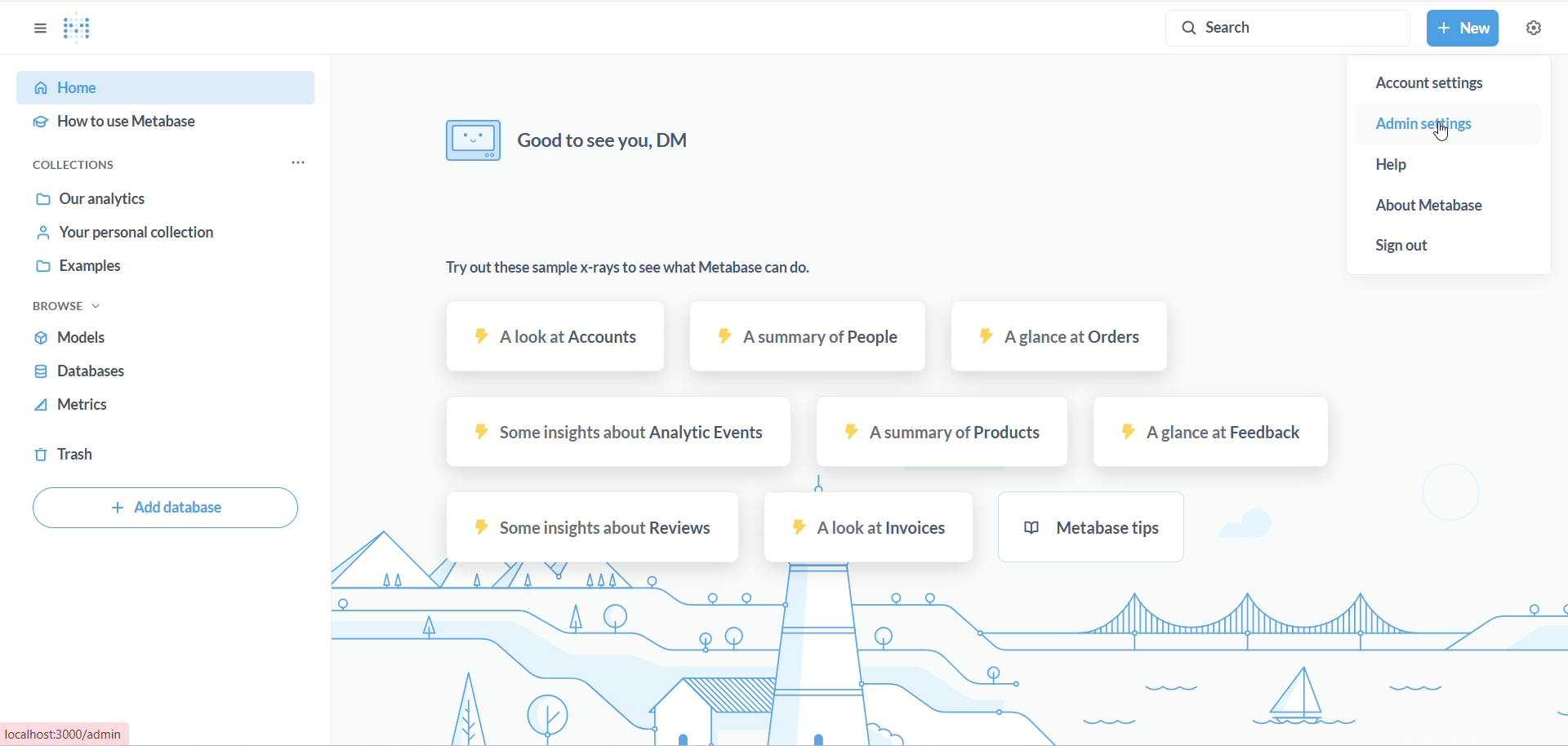 The height and width of the screenshot is (746, 1568). Describe the element at coordinates (38, 29) in the screenshot. I see `options` at that location.